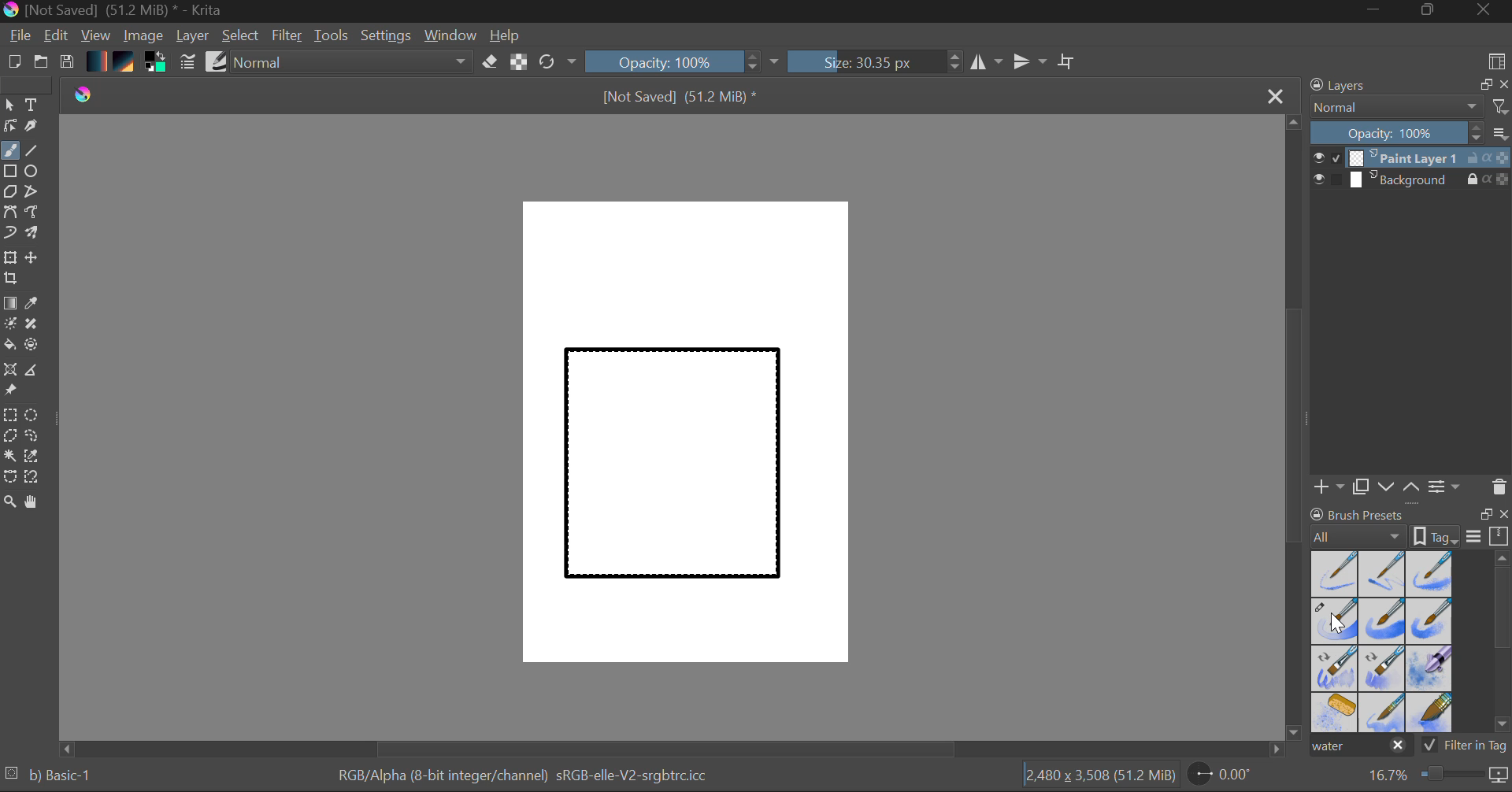  Describe the element at coordinates (517, 63) in the screenshot. I see `Lock Alpha` at that location.